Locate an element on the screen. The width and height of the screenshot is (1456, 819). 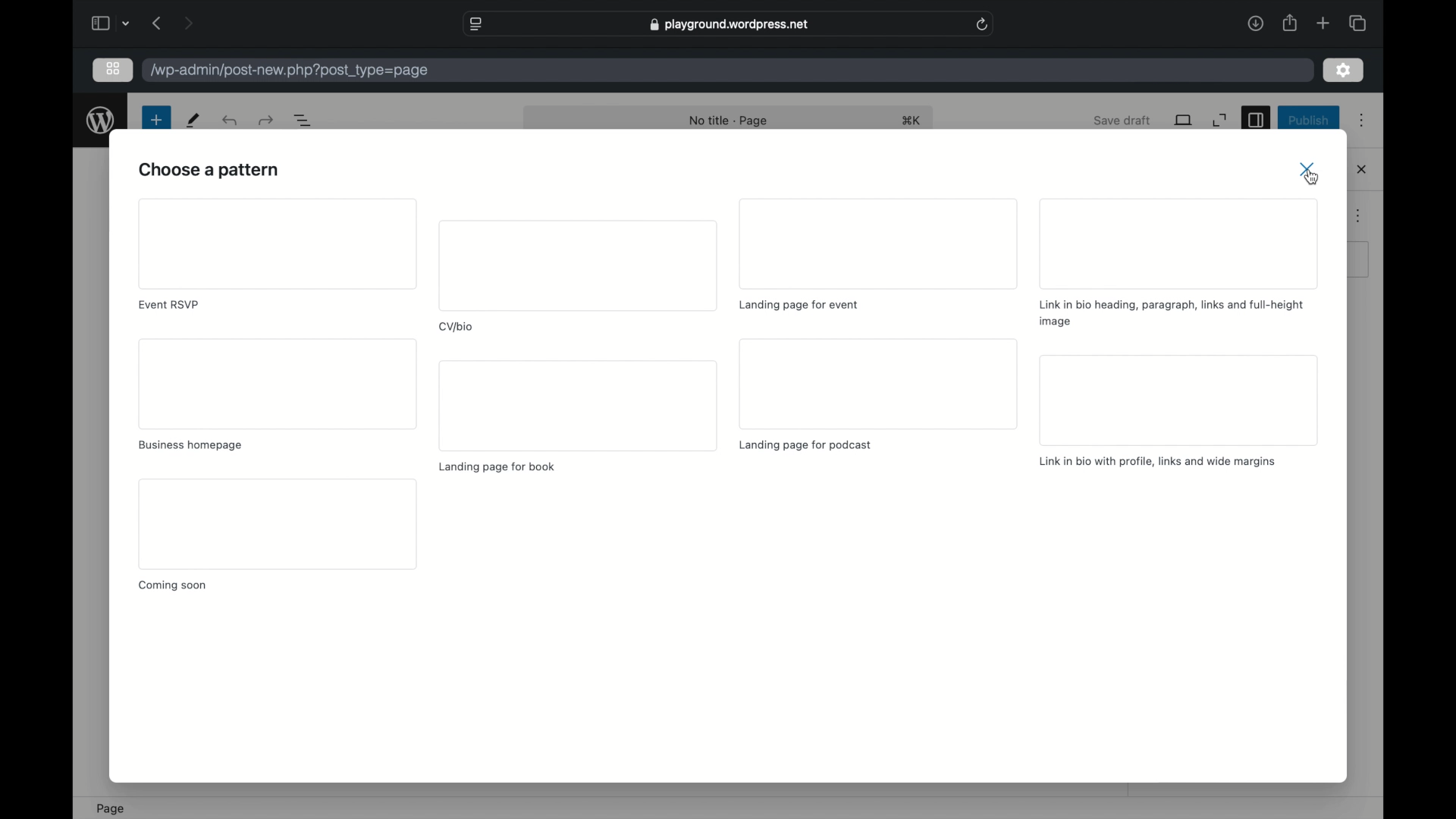
previous page is located at coordinates (157, 23).